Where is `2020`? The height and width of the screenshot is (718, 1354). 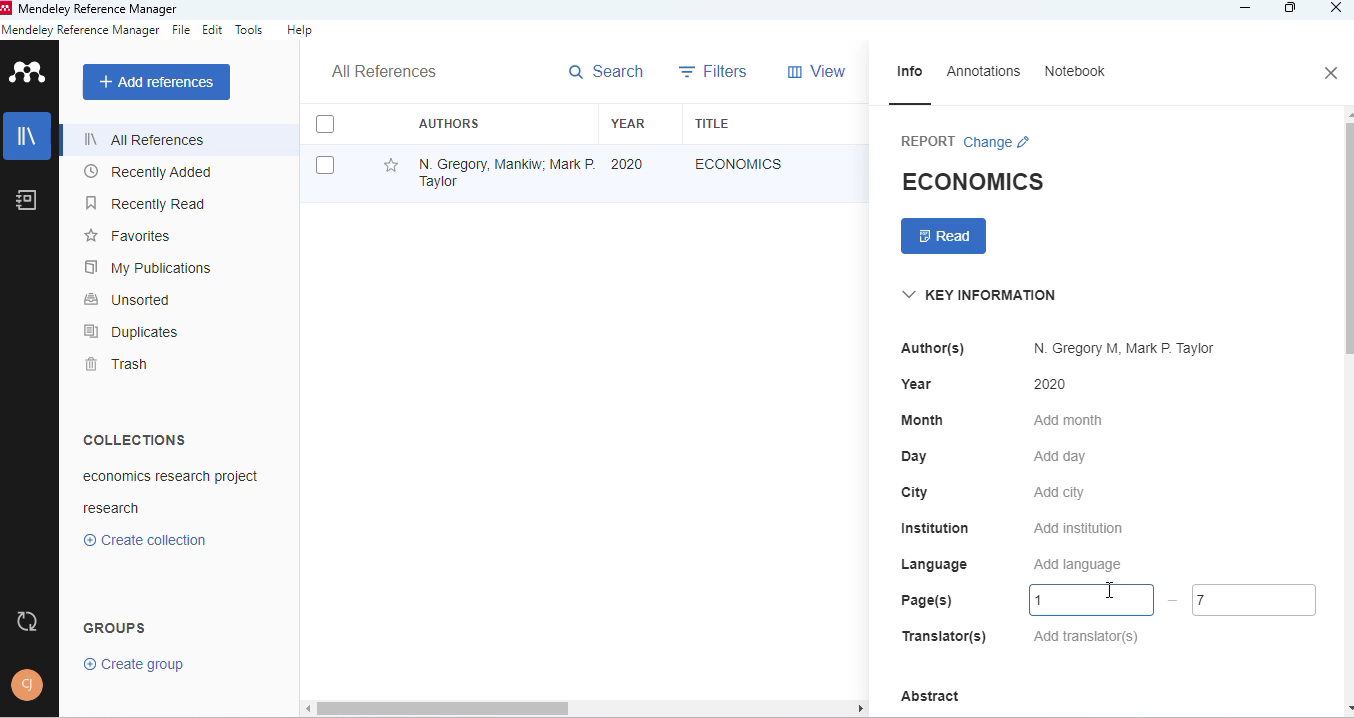
2020 is located at coordinates (627, 165).